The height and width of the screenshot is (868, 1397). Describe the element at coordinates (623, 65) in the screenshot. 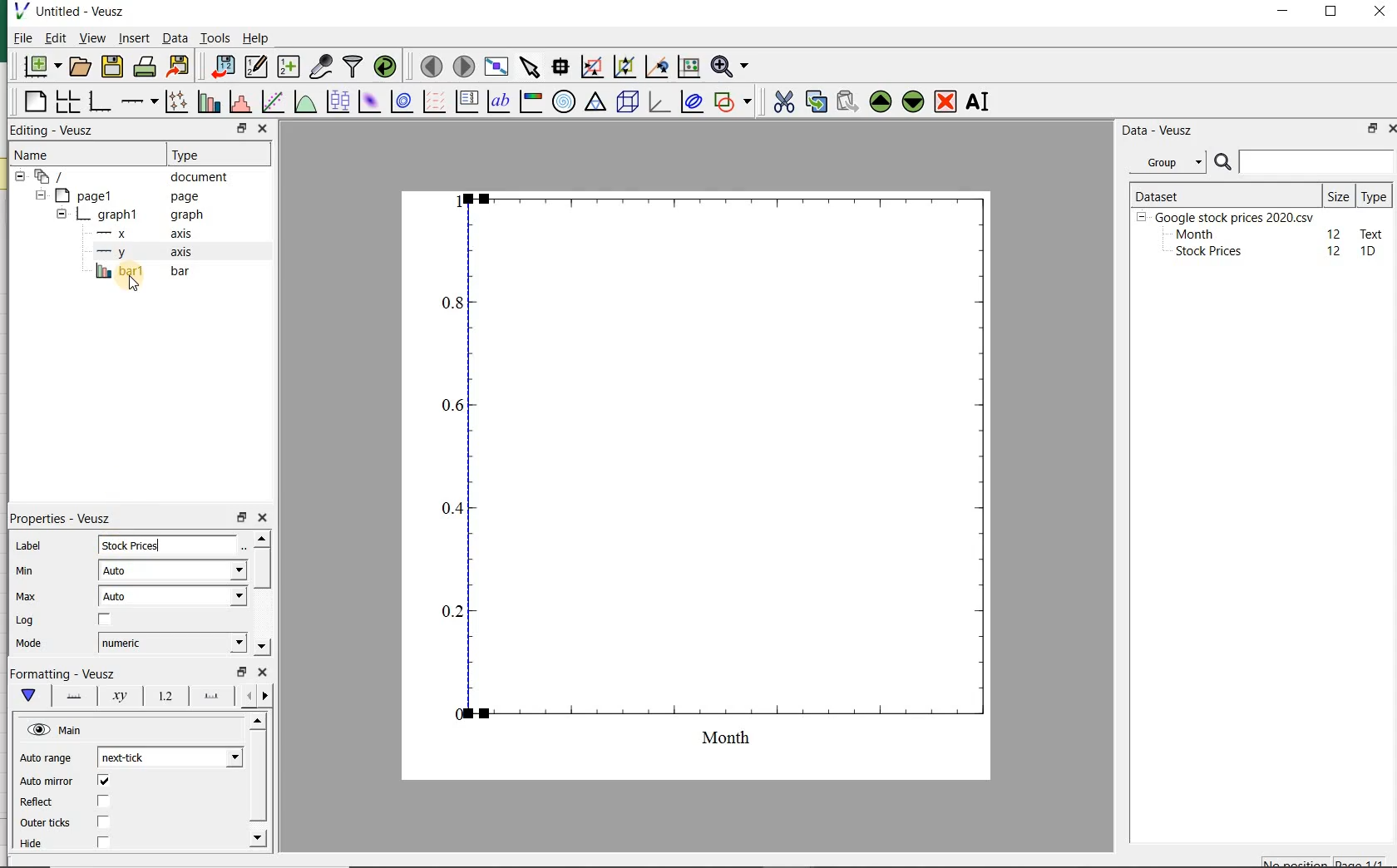

I see `click to zoom out of graph axes` at that location.